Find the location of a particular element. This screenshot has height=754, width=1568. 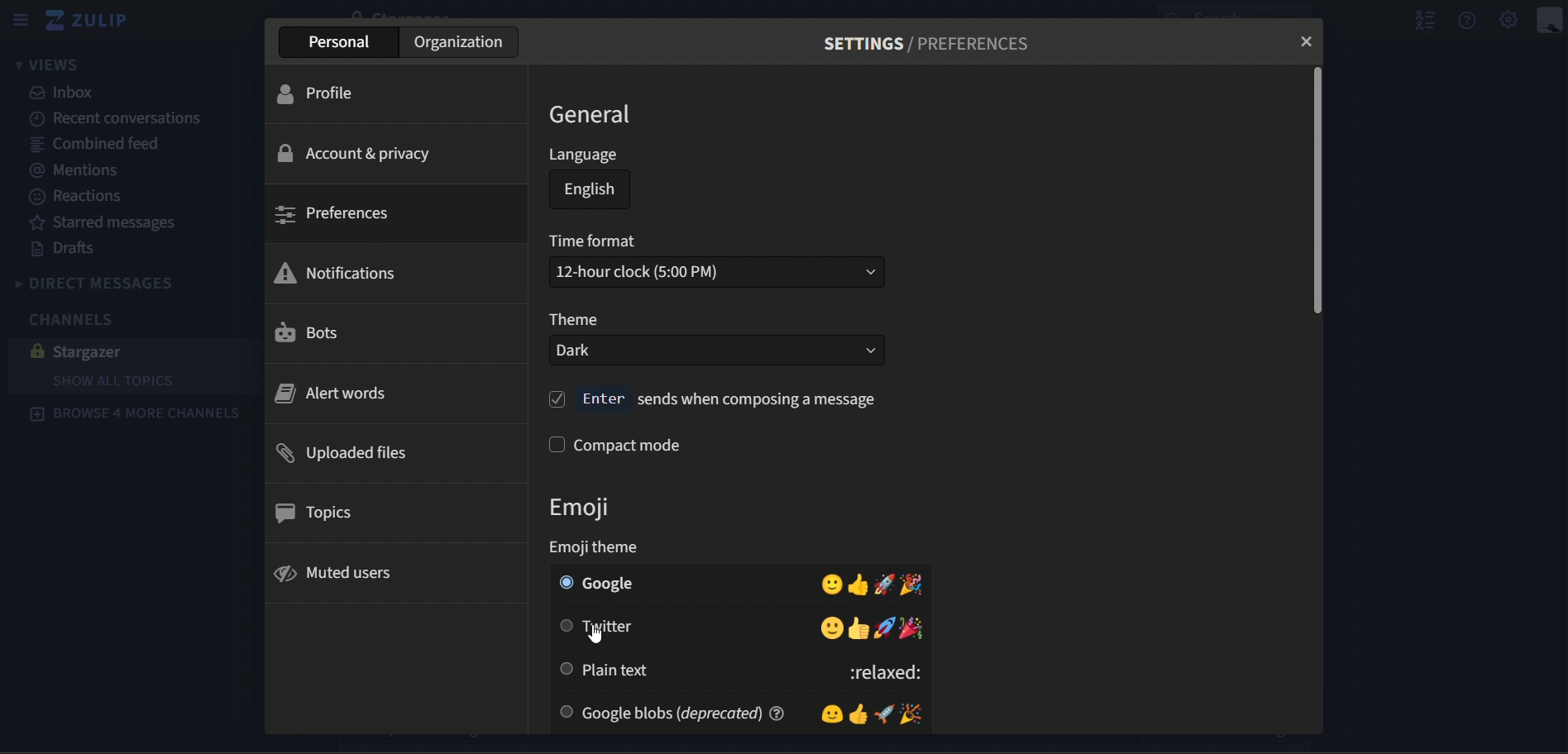

get help is located at coordinates (1469, 19).